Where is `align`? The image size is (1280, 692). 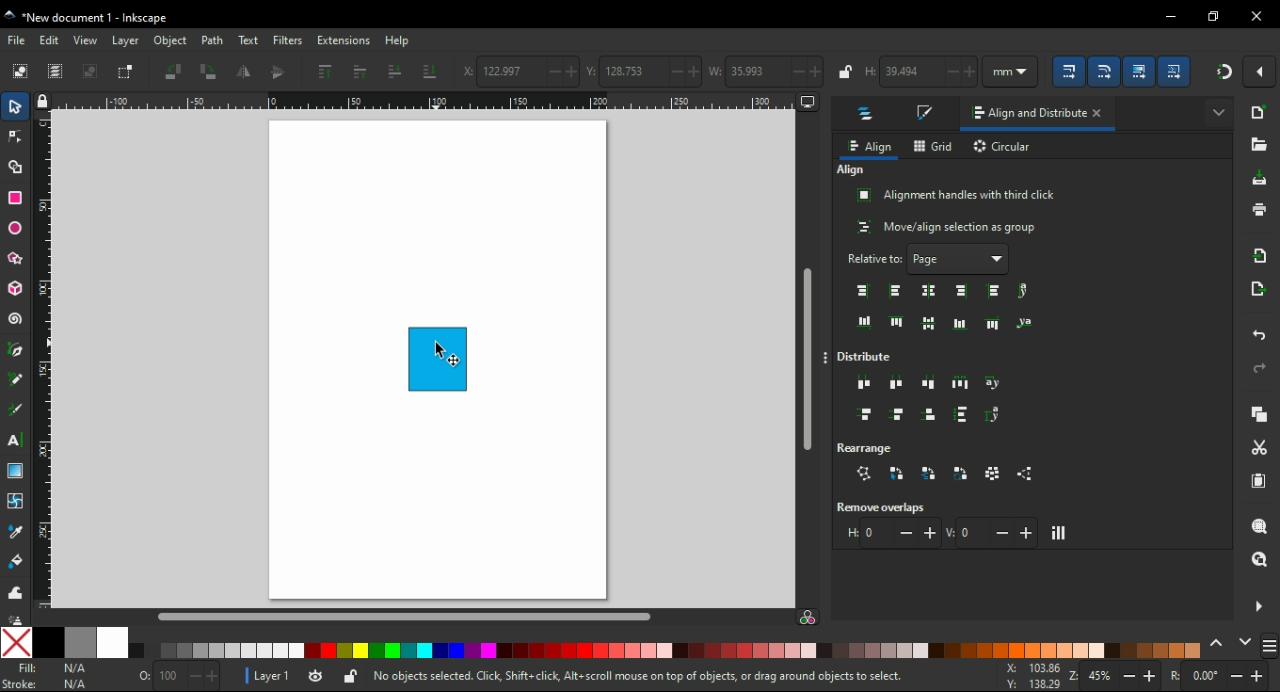
align is located at coordinates (853, 171).